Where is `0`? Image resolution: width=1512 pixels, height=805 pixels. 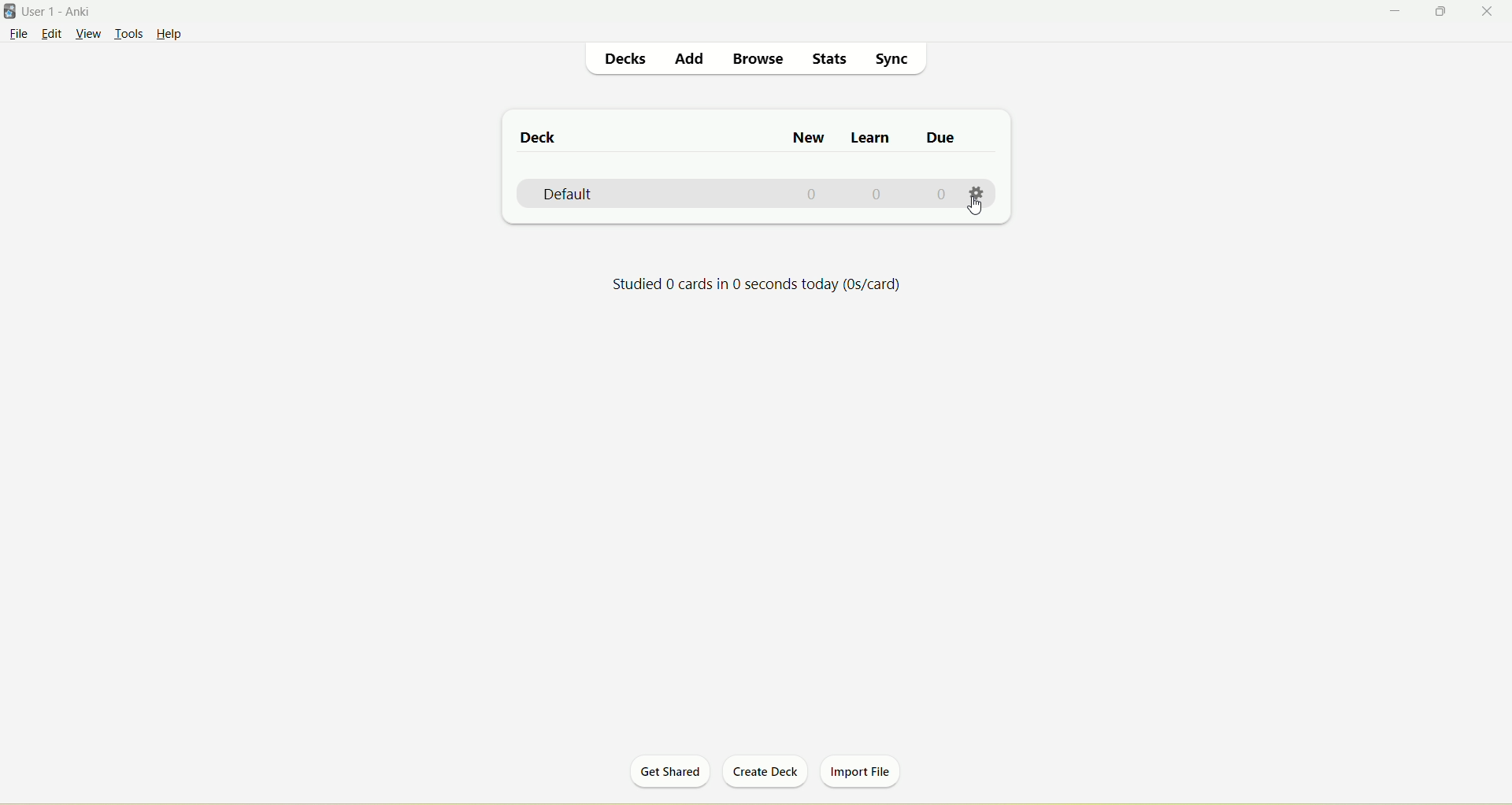 0 is located at coordinates (943, 193).